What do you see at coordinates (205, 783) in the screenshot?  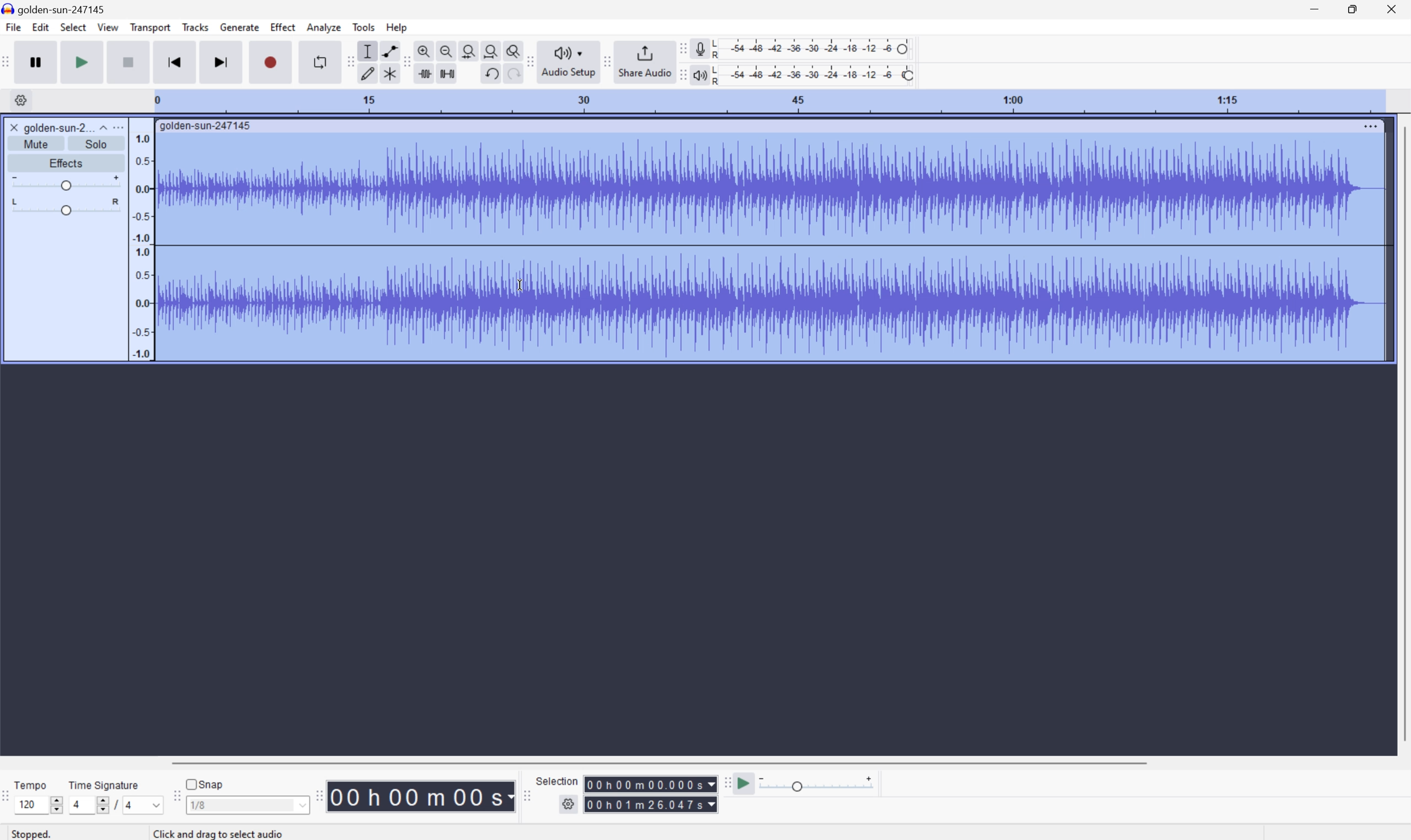 I see `Snap` at bounding box center [205, 783].